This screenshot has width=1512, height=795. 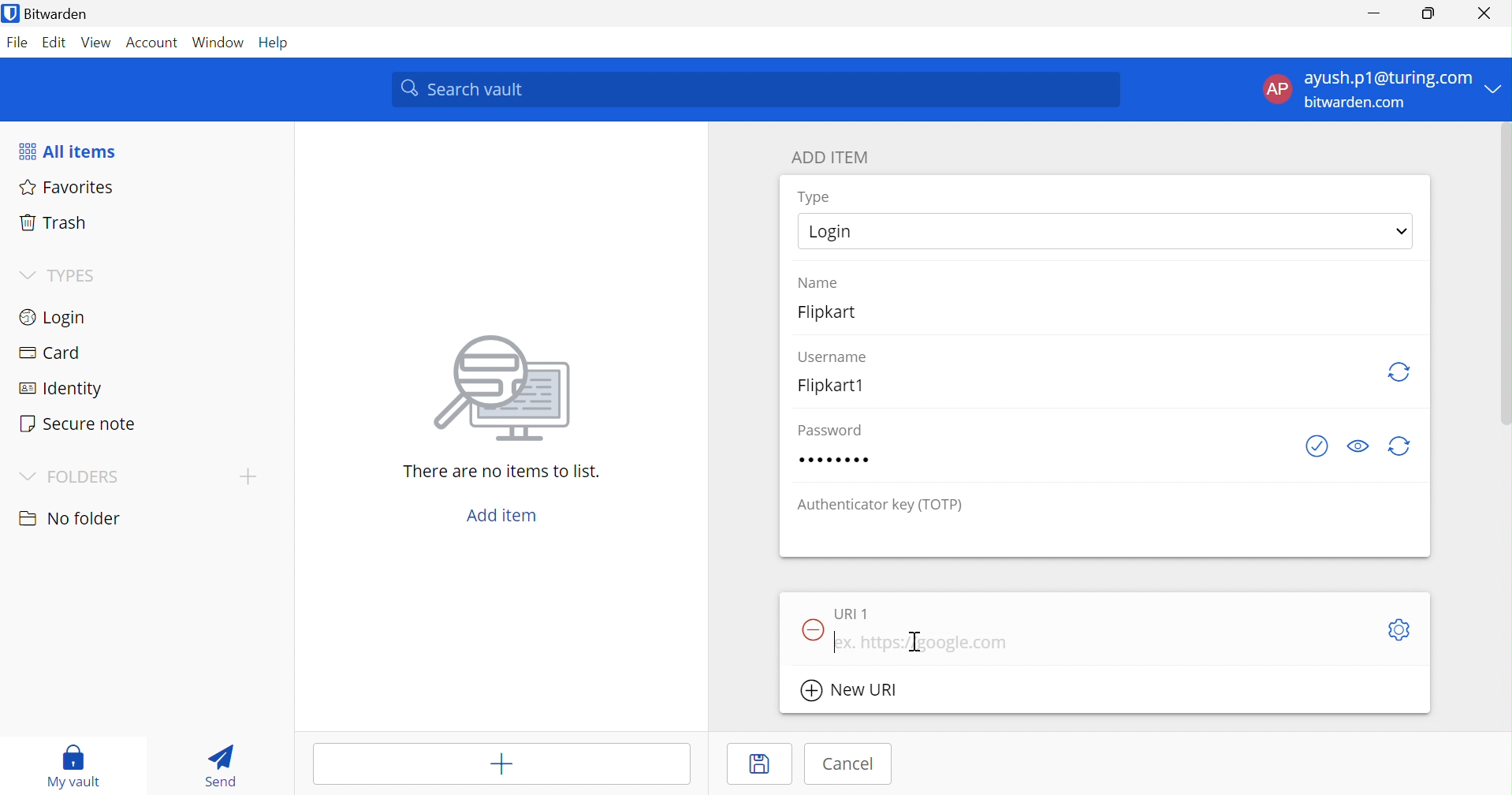 I want to click on Username, so click(x=833, y=355).